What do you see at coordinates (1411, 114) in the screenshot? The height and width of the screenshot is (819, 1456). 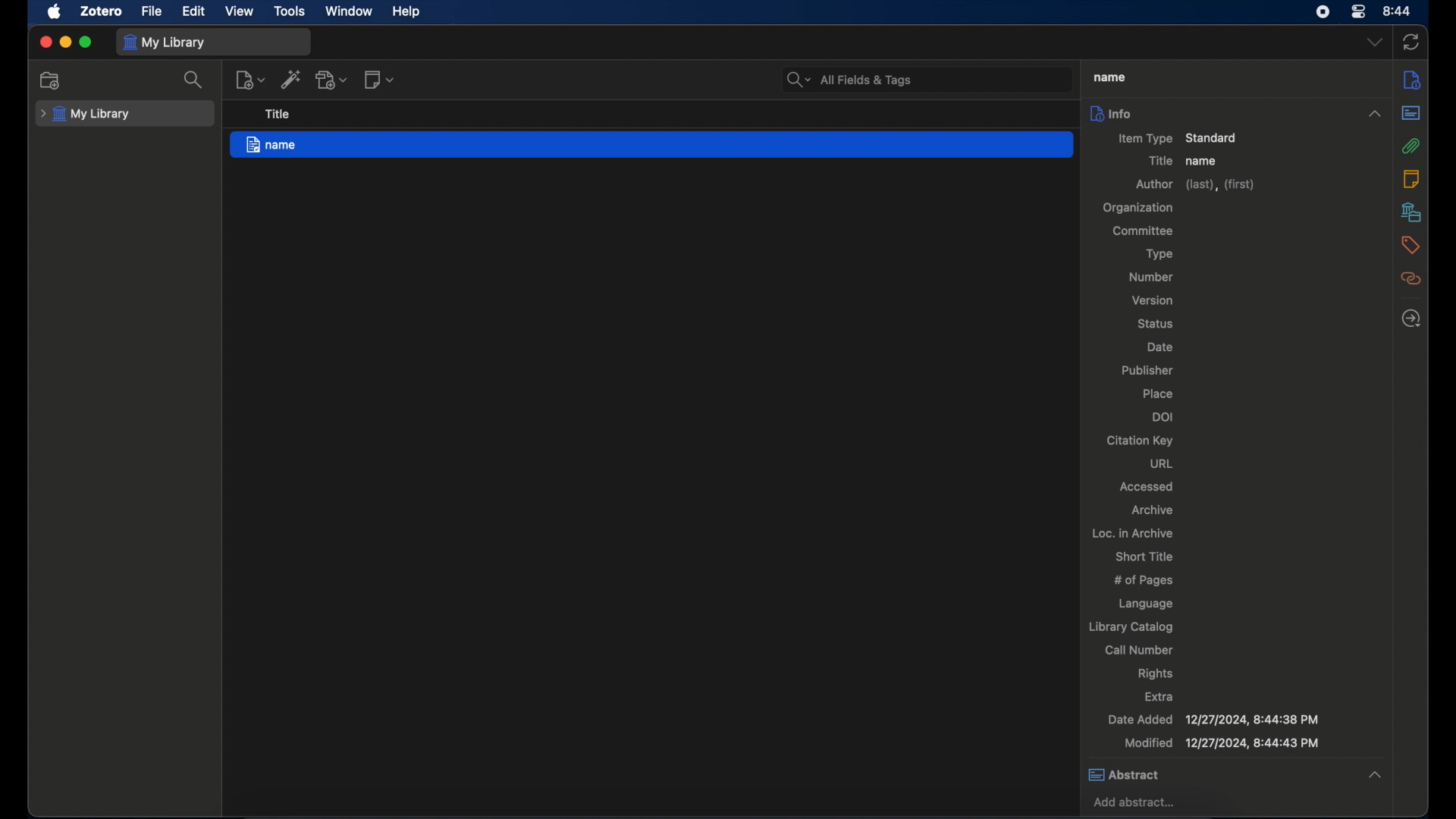 I see `abstract` at bounding box center [1411, 114].